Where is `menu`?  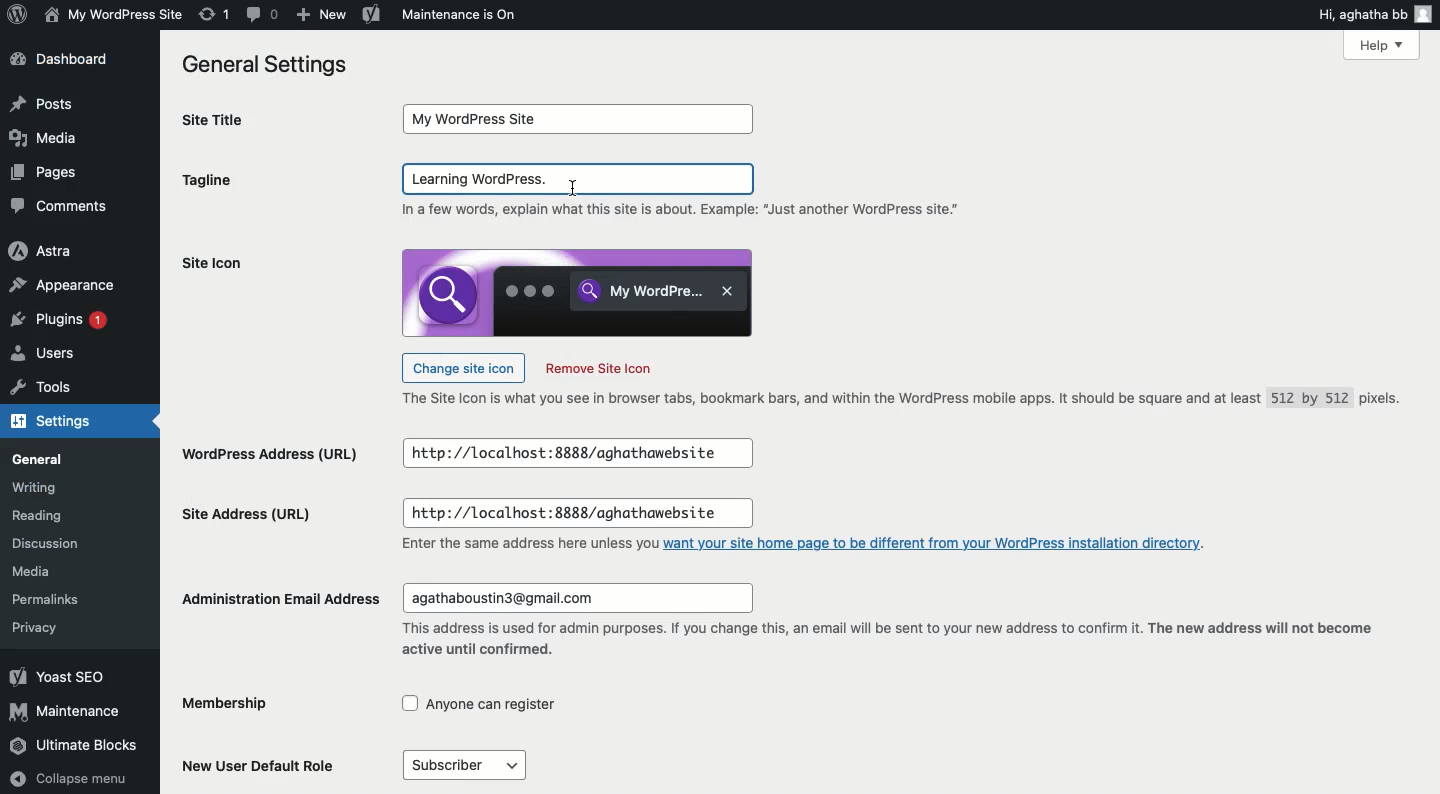
menu is located at coordinates (463, 765).